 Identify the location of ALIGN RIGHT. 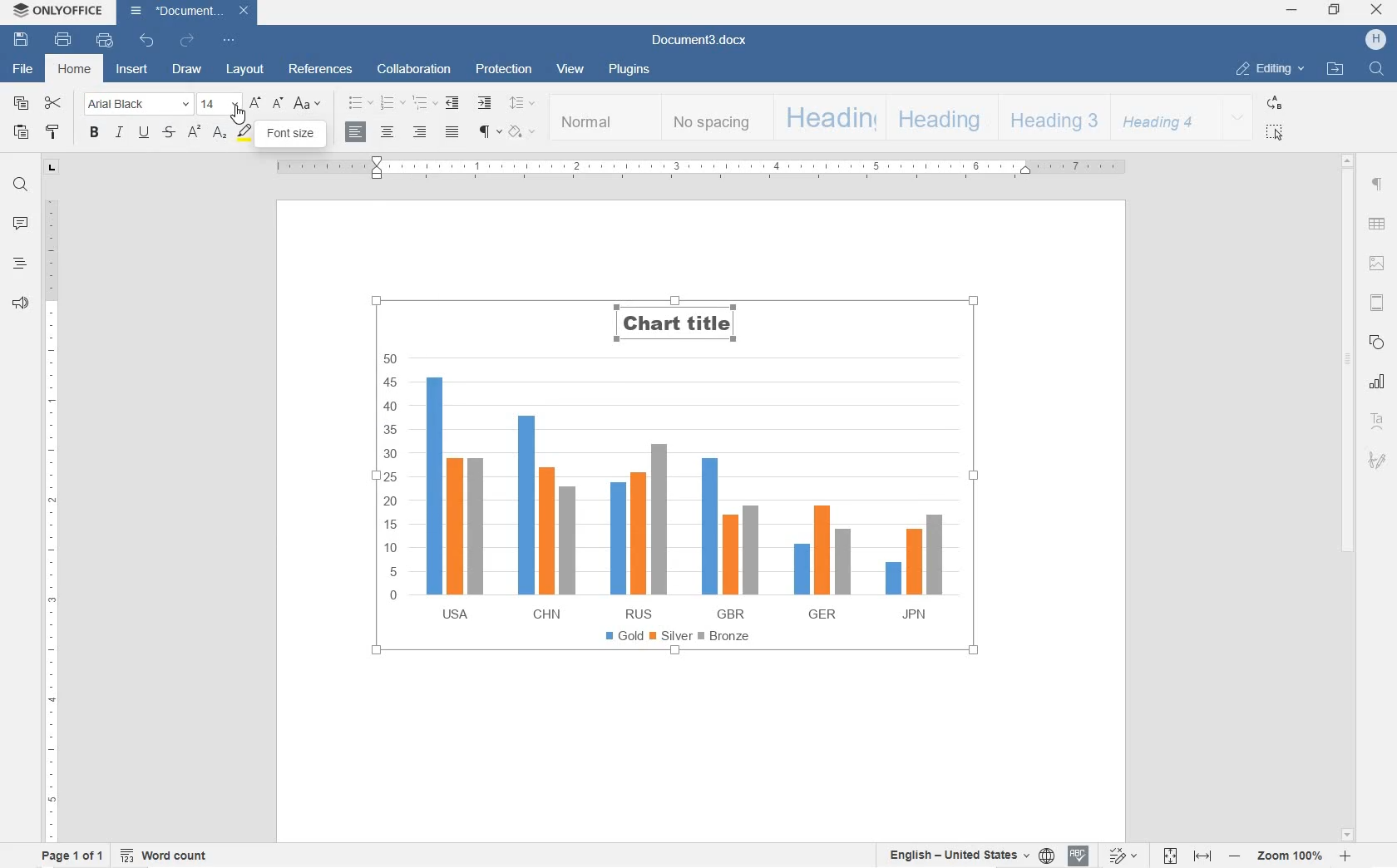
(420, 132).